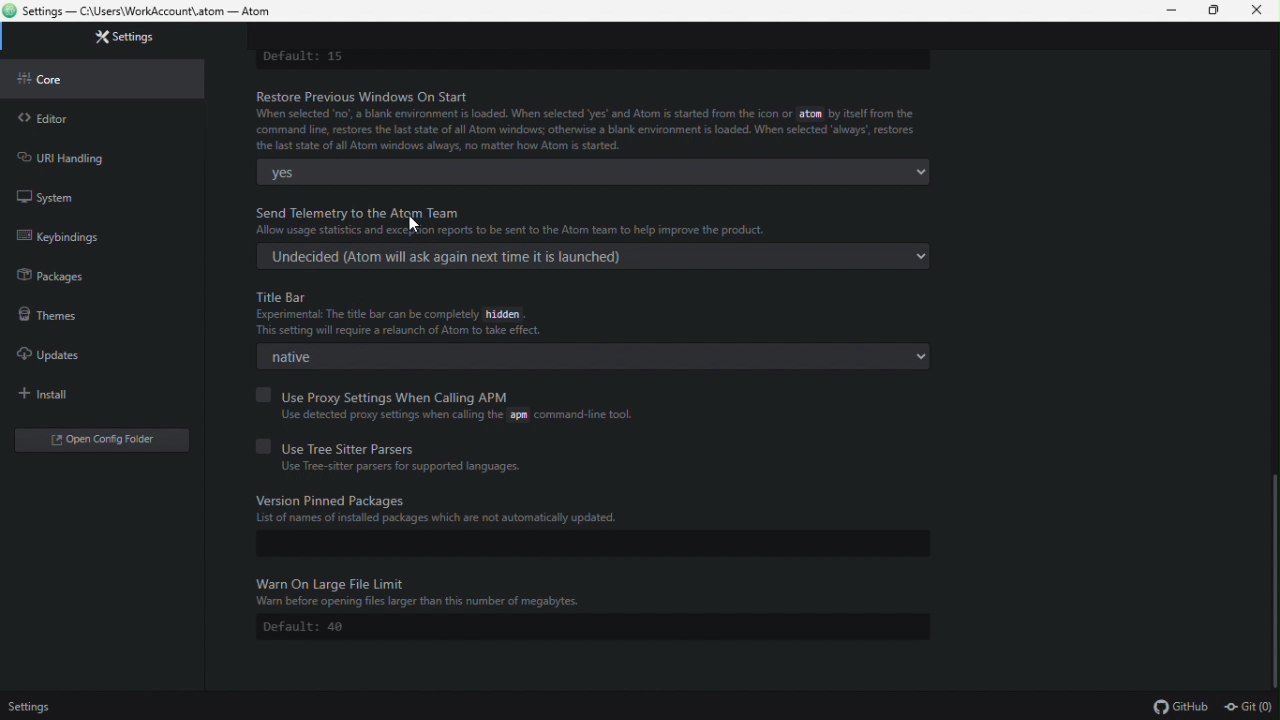 The height and width of the screenshot is (720, 1280). I want to click on default:15, so click(336, 57).